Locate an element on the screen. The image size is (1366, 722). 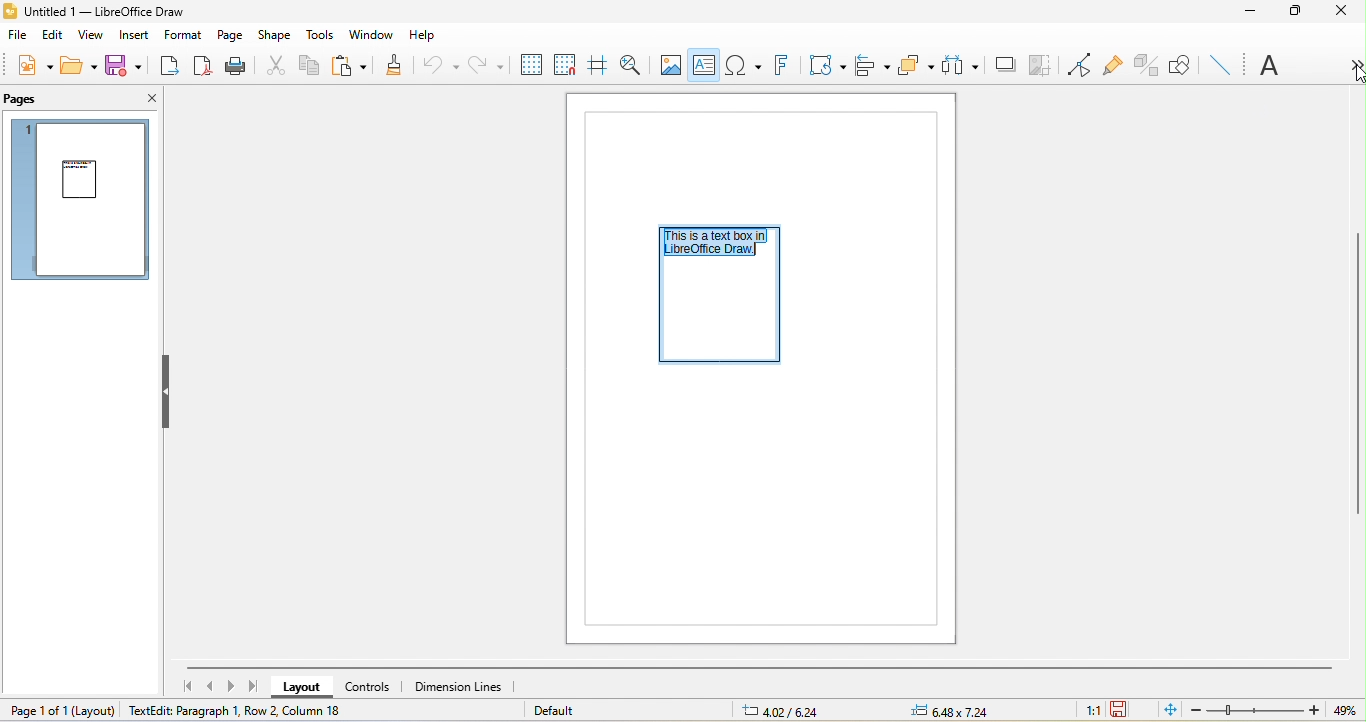
pages is located at coordinates (26, 98).